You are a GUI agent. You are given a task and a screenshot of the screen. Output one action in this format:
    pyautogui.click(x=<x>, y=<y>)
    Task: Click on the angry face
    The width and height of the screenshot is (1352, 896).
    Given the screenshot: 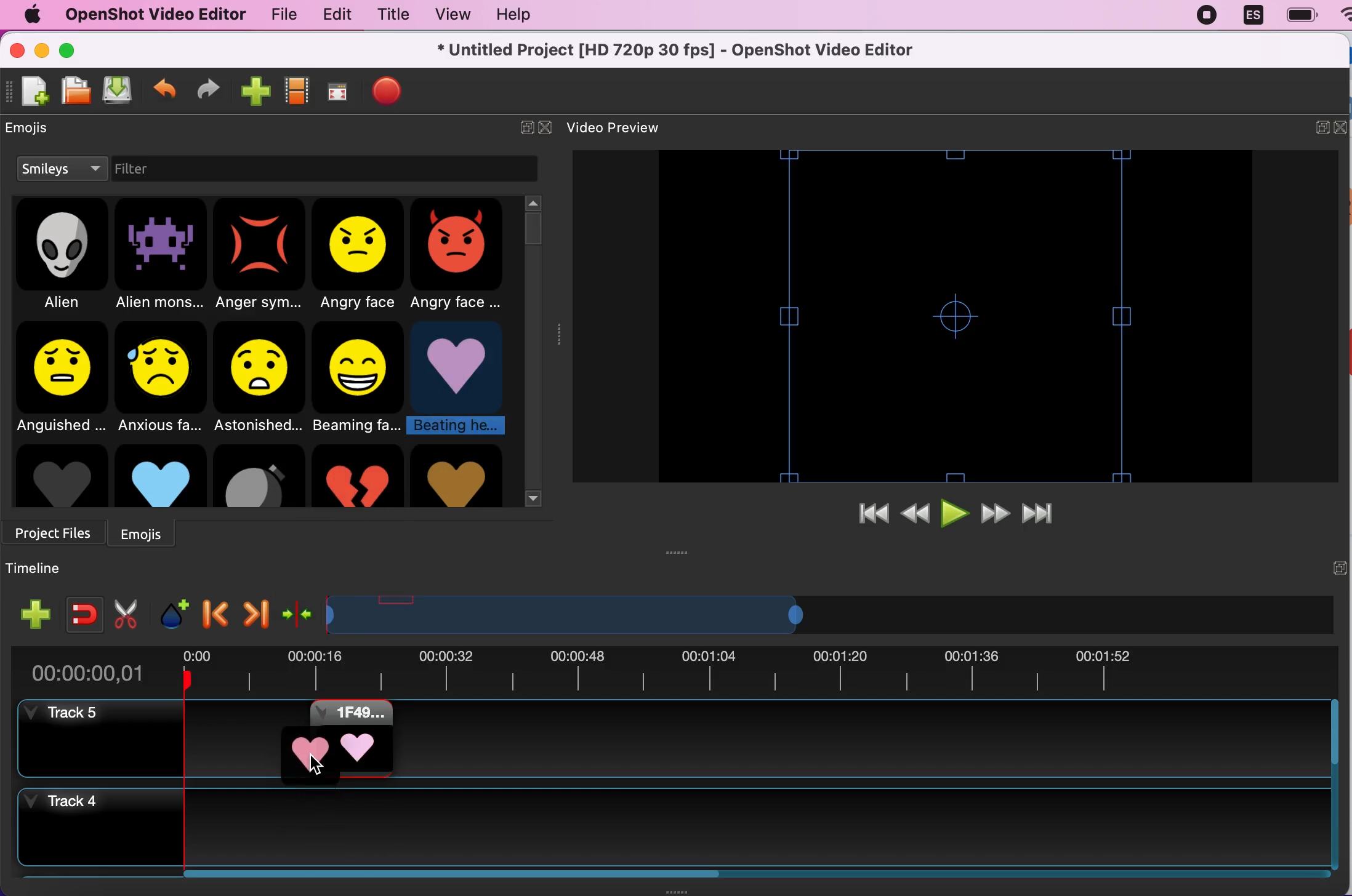 What is the action you would take?
    pyautogui.click(x=360, y=256)
    